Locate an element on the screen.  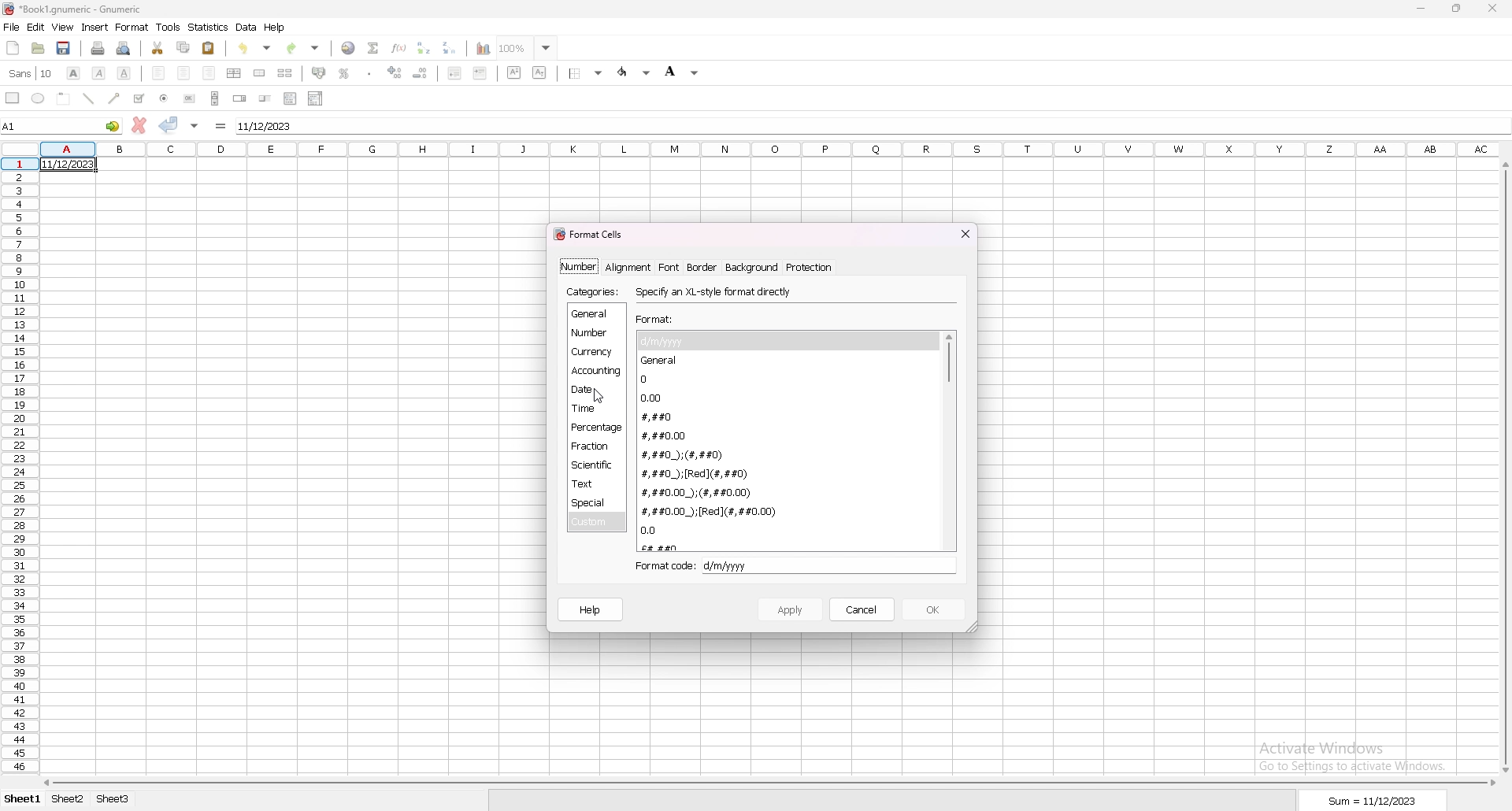
text is located at coordinates (596, 484).